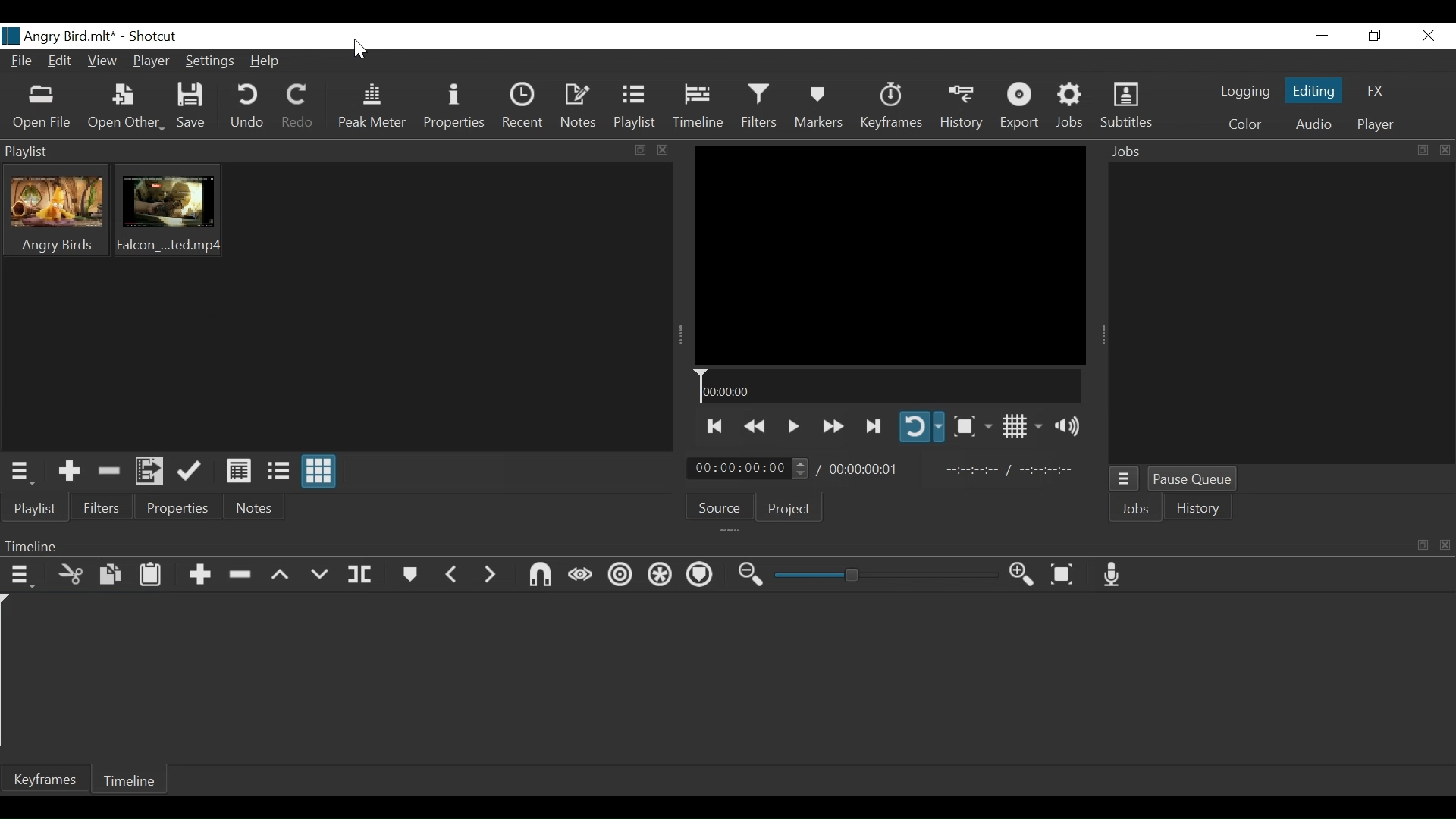 Image resolution: width=1456 pixels, height=819 pixels. I want to click on Notes, so click(256, 509).